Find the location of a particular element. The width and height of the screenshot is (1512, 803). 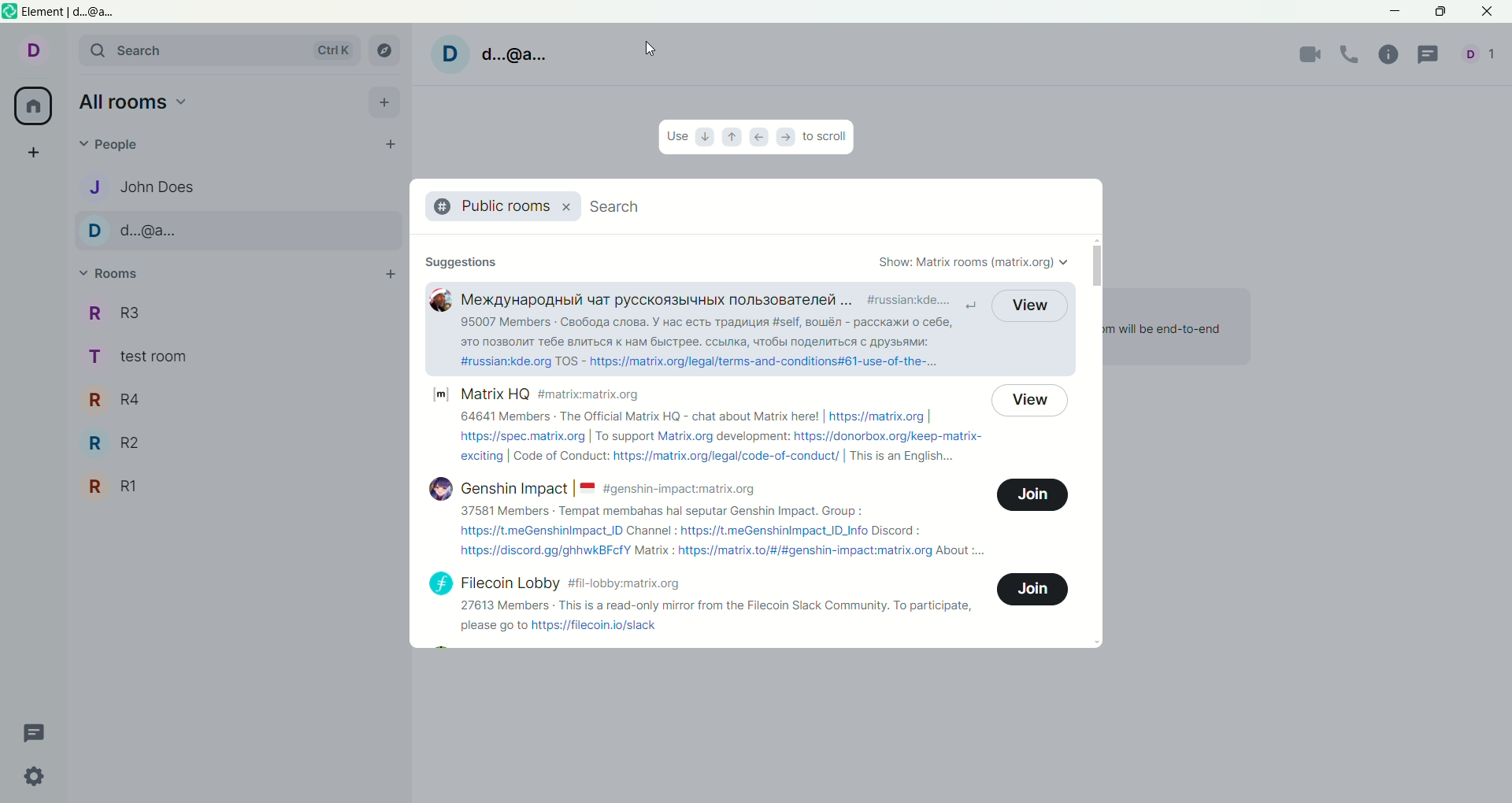

test room is located at coordinates (240, 357).